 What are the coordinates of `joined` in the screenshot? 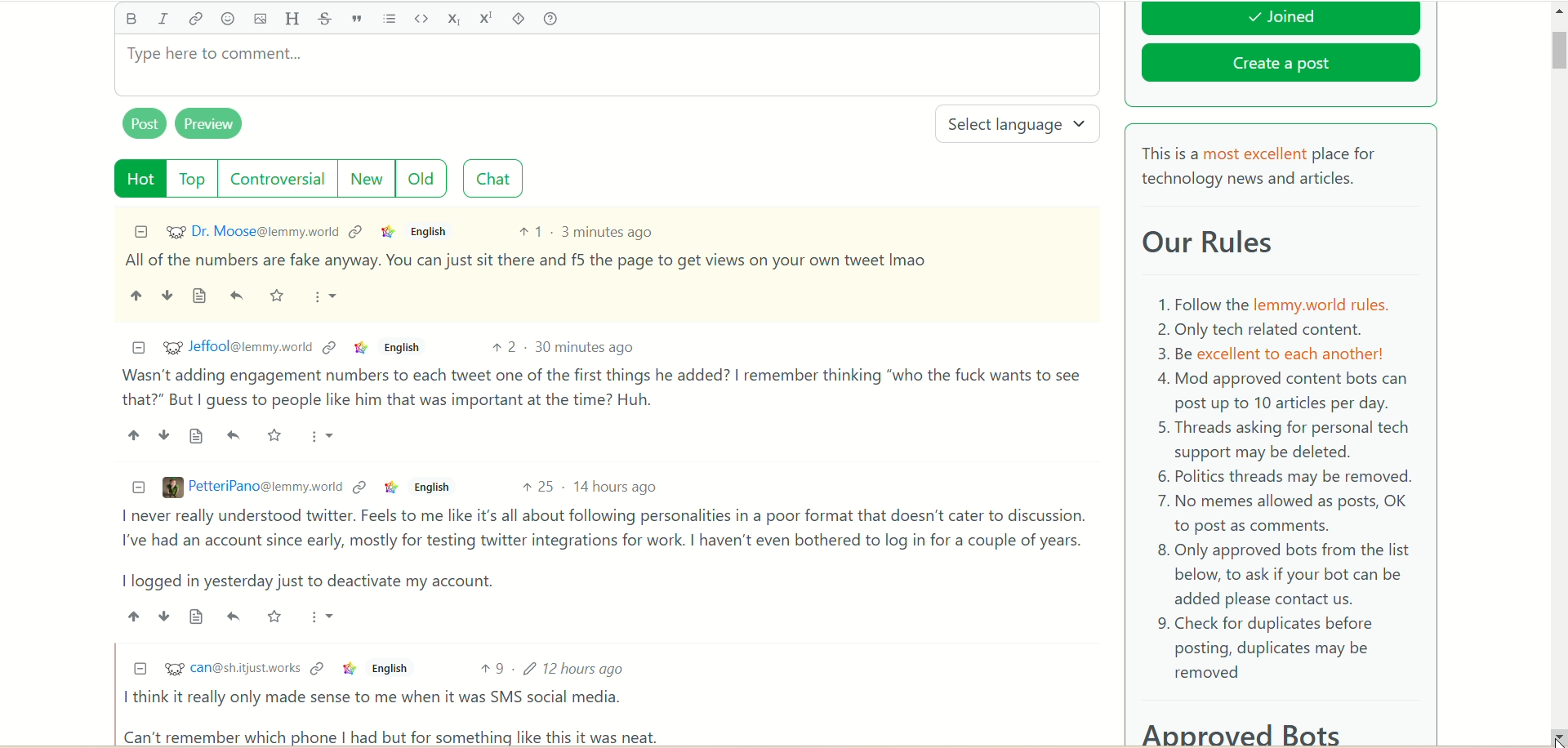 It's located at (1281, 19).